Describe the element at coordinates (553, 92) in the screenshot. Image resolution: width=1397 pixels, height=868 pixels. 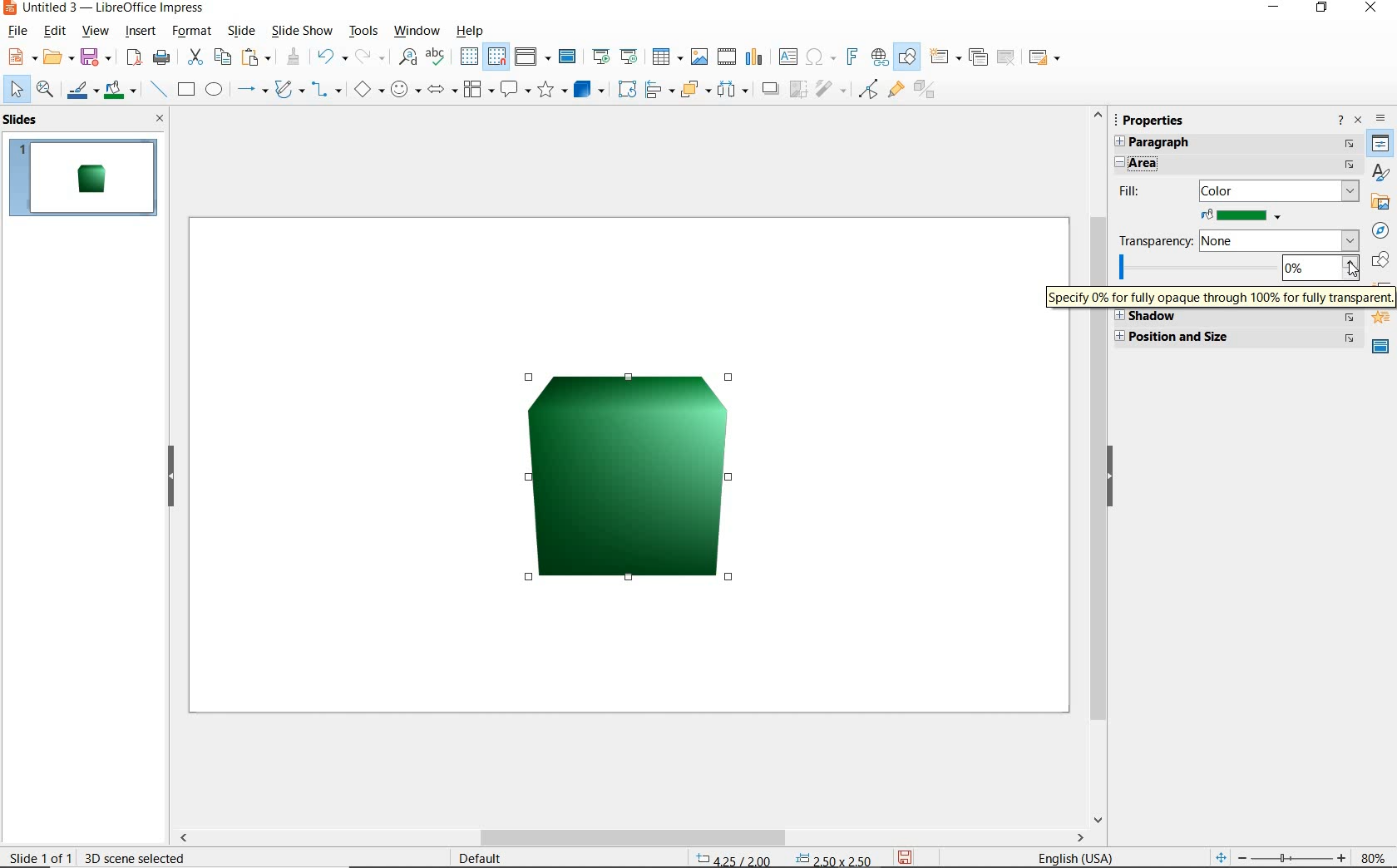
I see `stars and banners` at that location.